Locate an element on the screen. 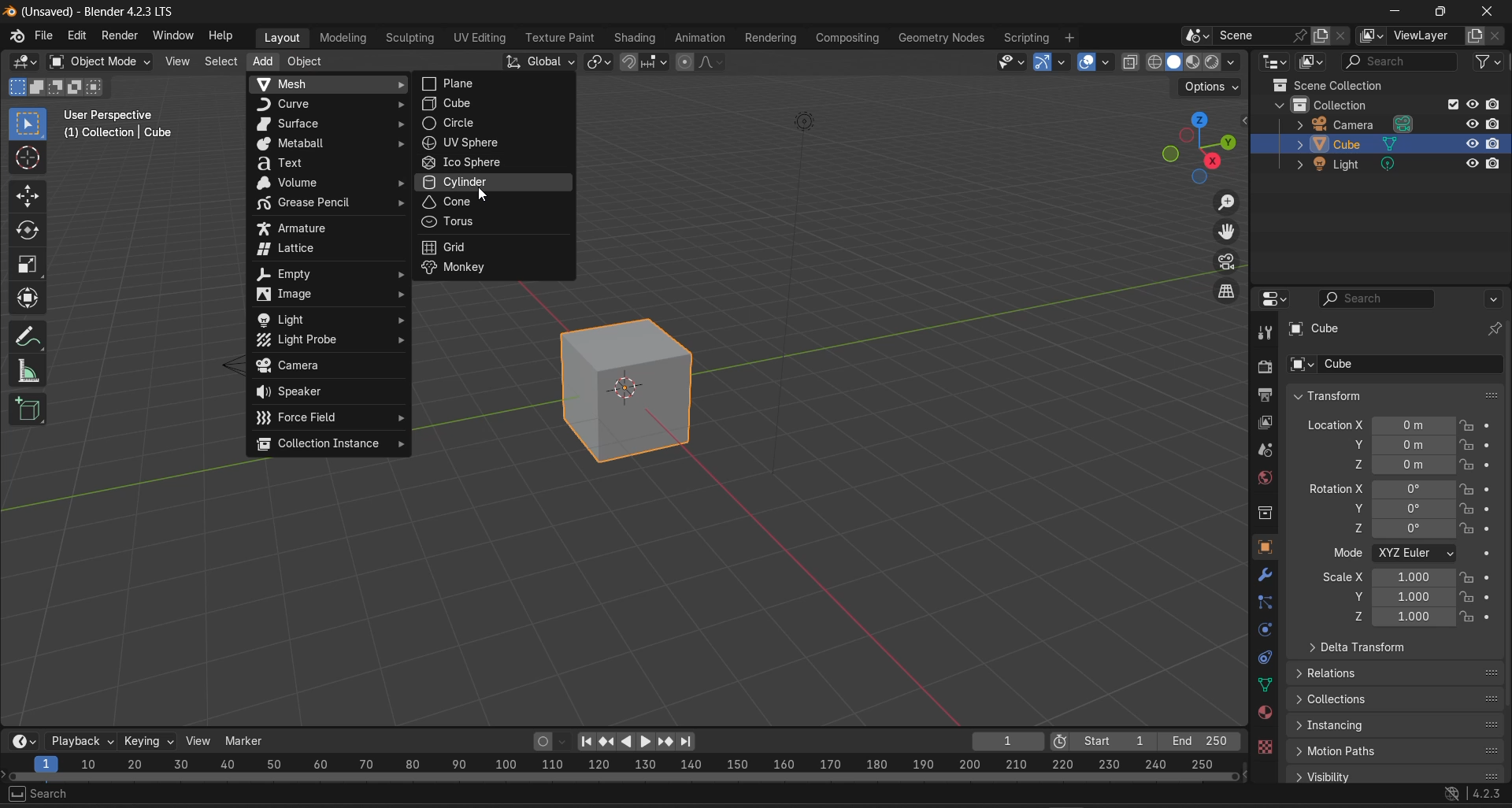 This screenshot has height=808, width=1512. scale x is located at coordinates (1388, 577).